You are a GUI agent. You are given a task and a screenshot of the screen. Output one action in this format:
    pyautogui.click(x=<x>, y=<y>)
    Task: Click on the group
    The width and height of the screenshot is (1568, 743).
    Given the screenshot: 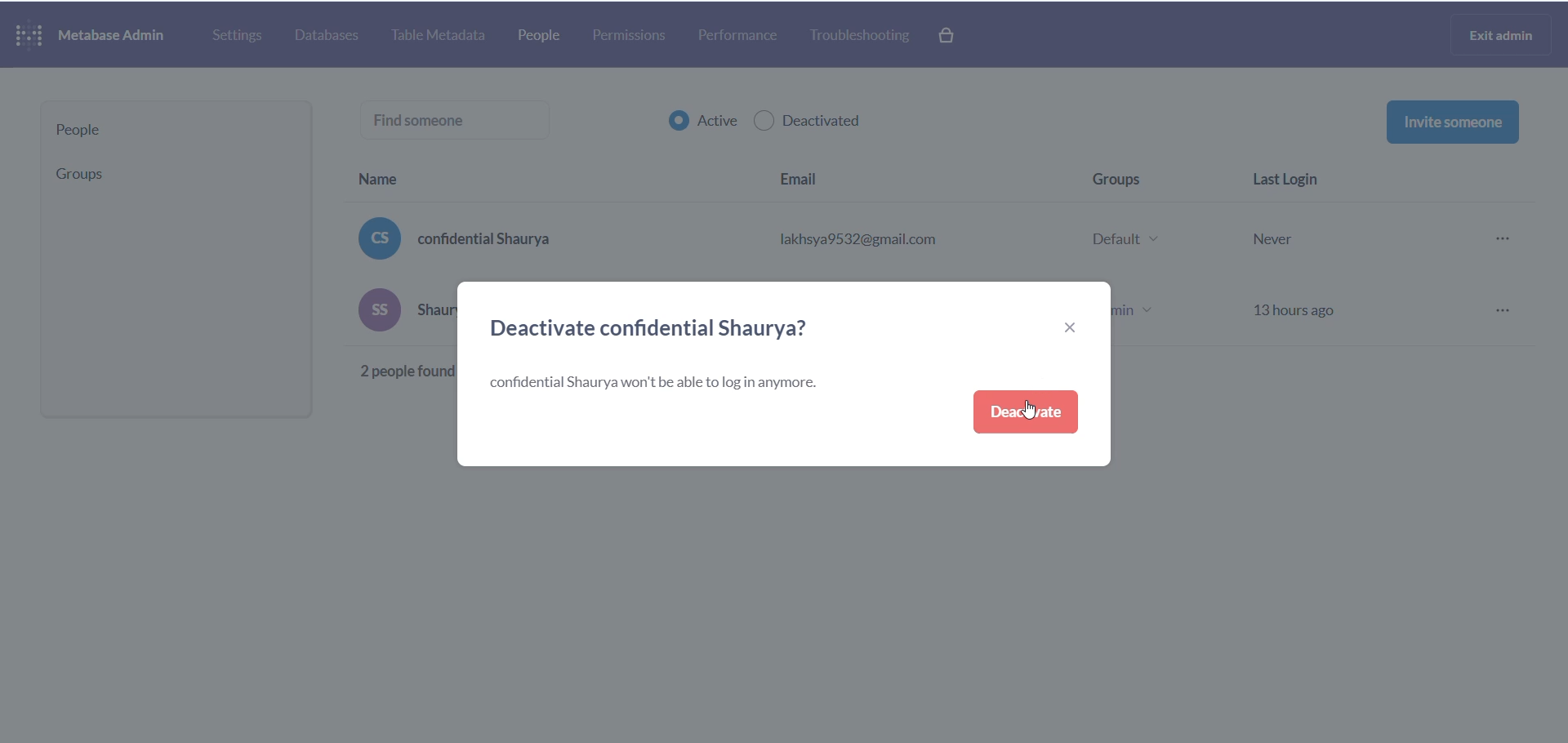 What is the action you would take?
    pyautogui.click(x=1140, y=181)
    